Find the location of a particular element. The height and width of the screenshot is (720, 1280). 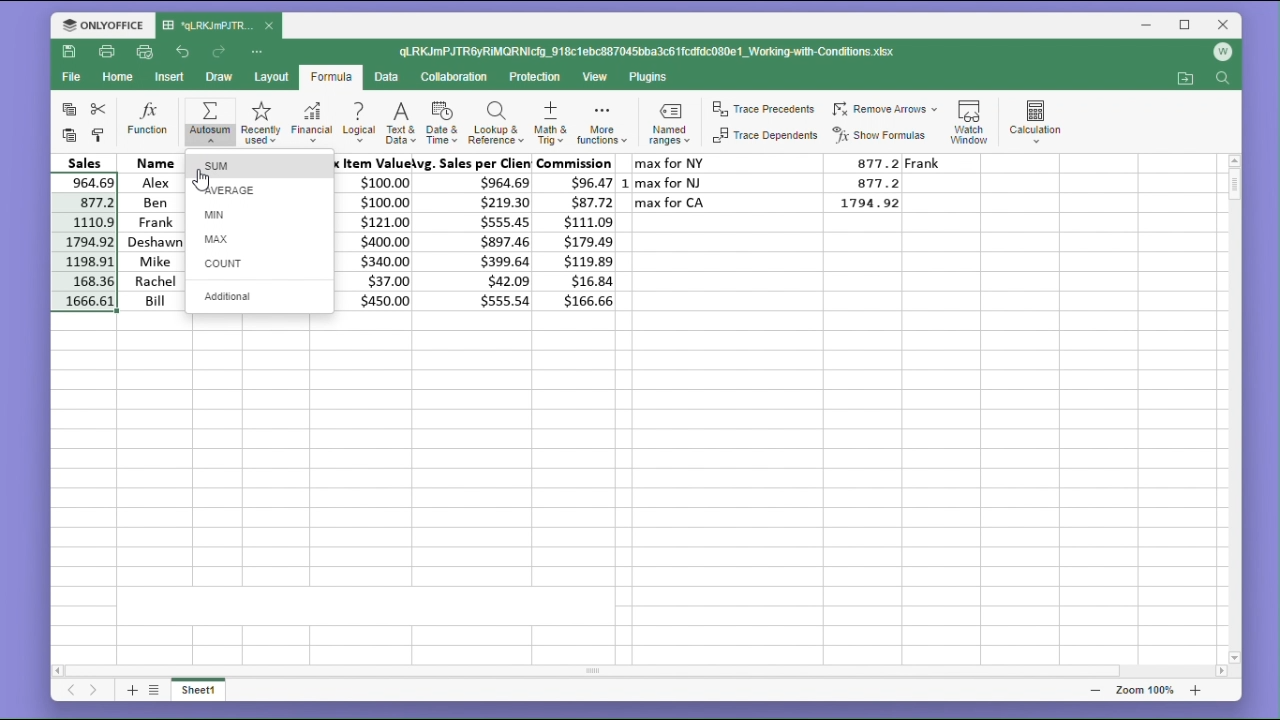

vertical scroll bar is located at coordinates (1234, 409).